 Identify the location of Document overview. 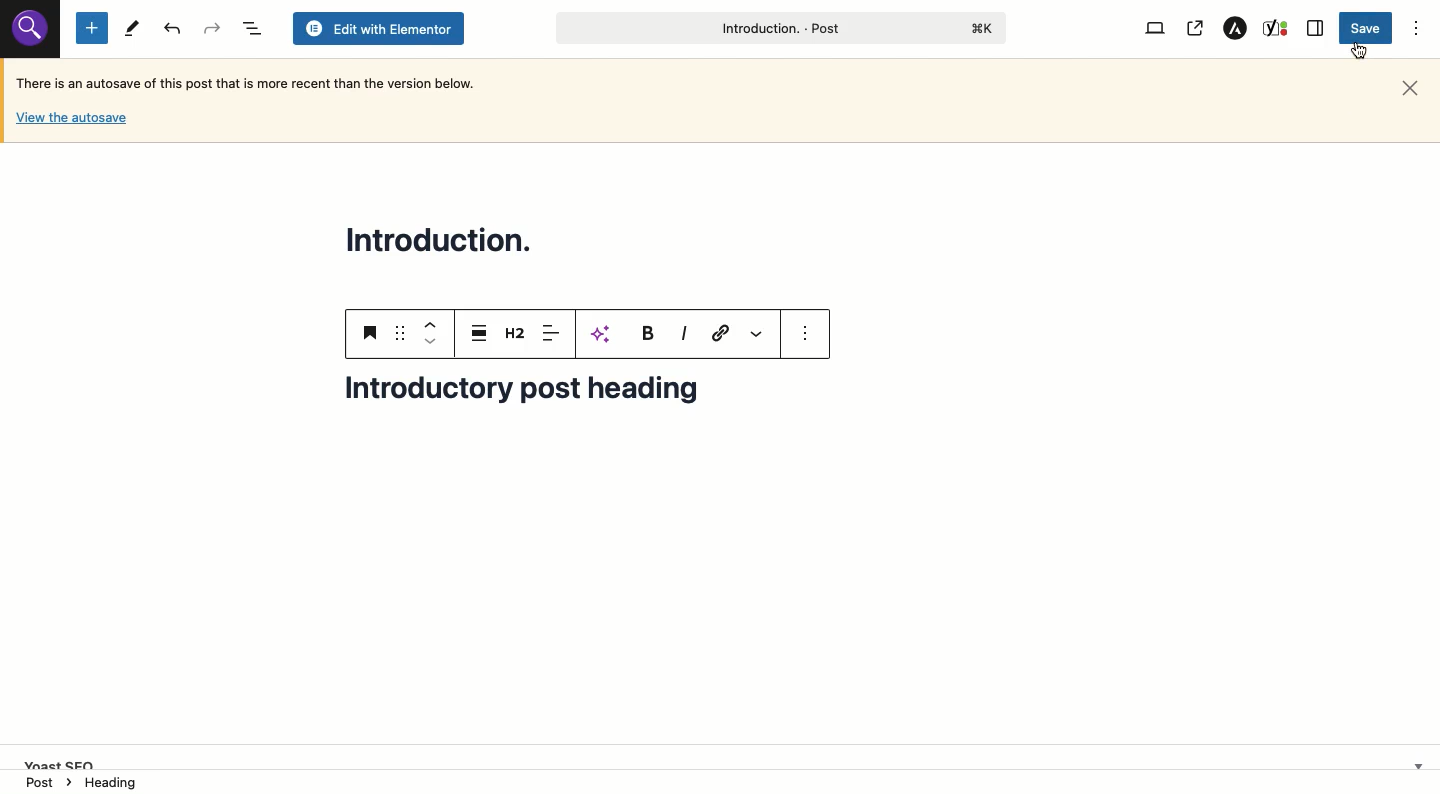
(250, 28).